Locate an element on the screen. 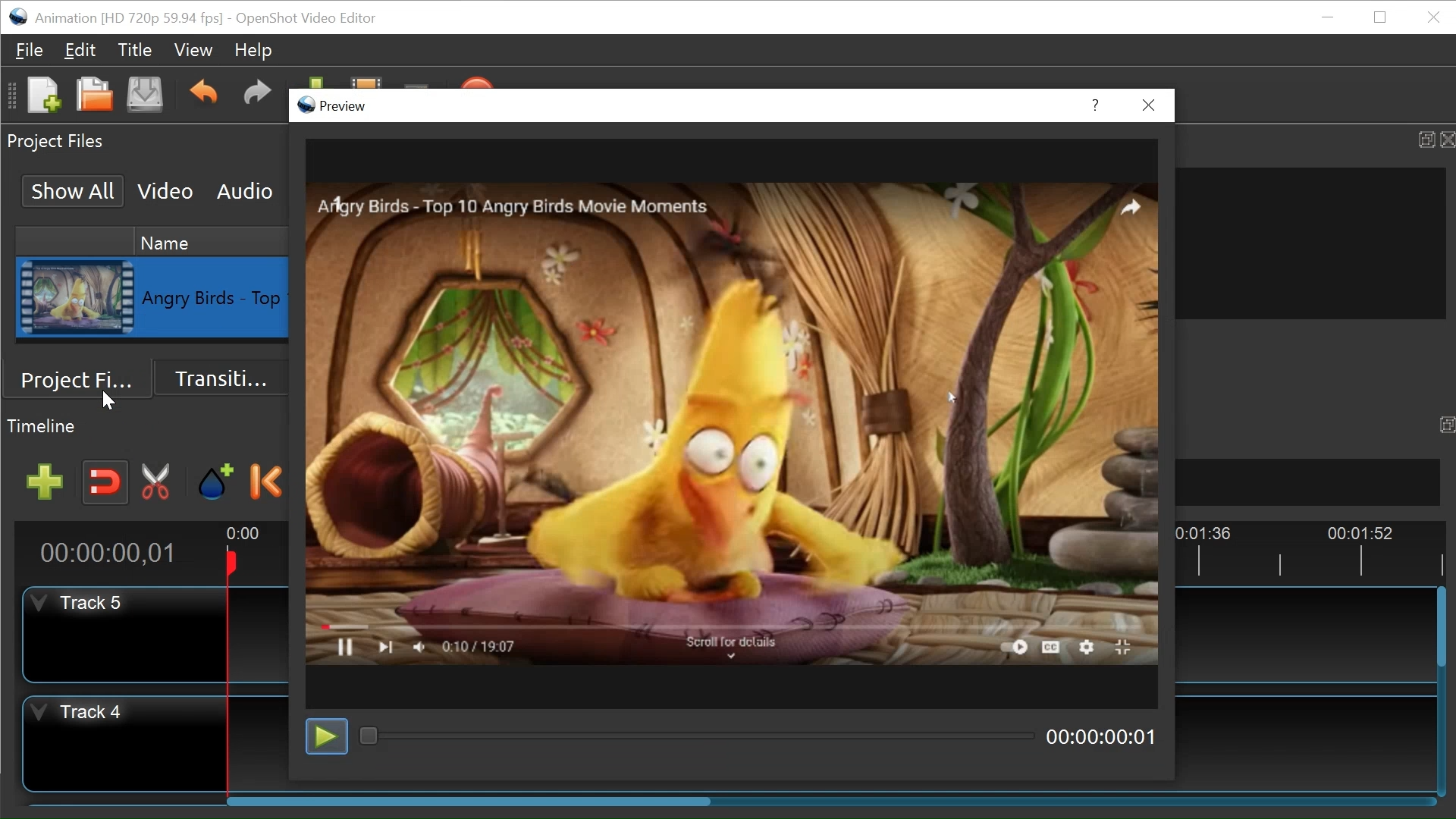 The image size is (1456, 819). Previous Marker is located at coordinates (268, 482).